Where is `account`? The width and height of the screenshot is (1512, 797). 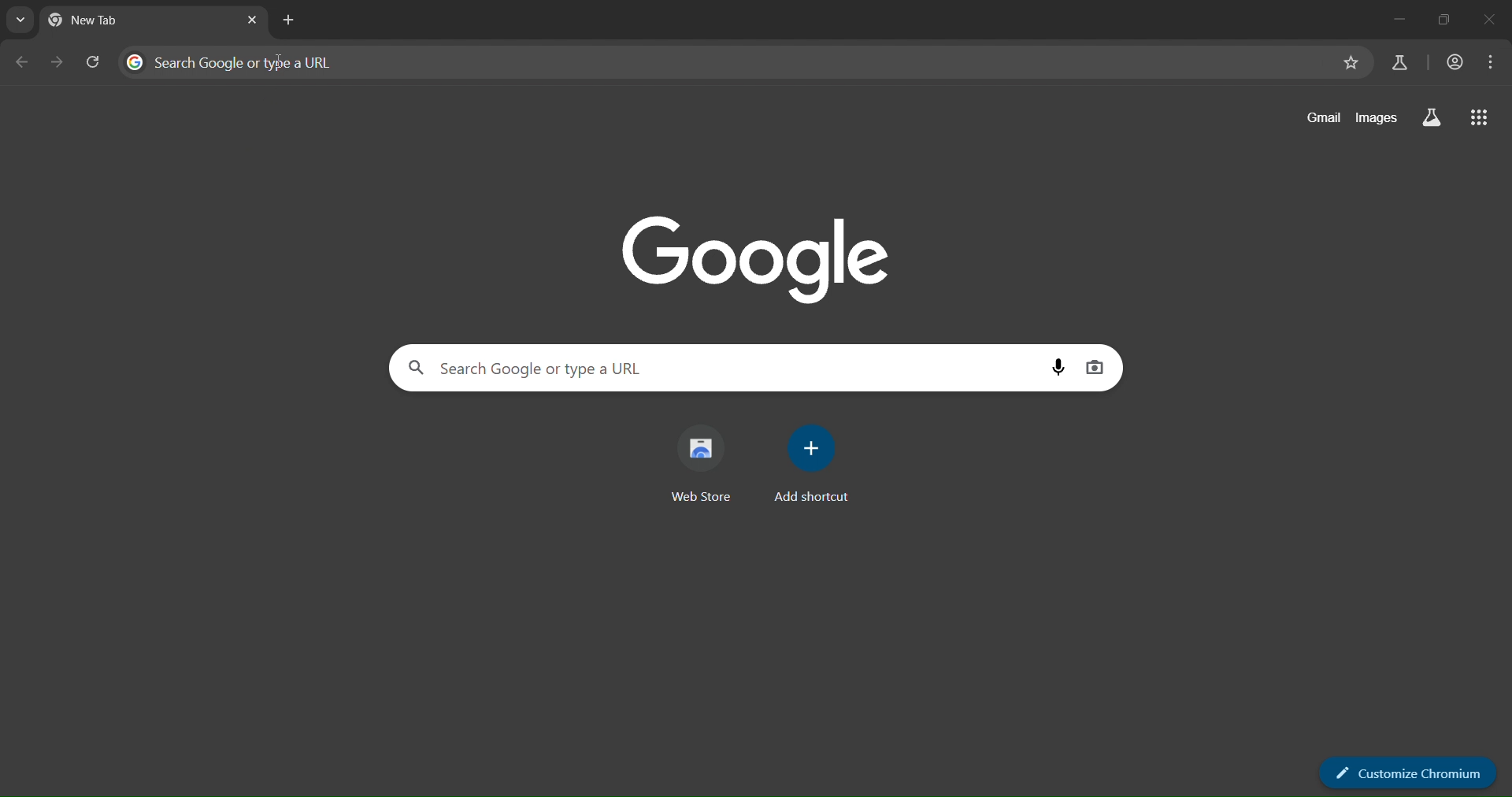
account is located at coordinates (1453, 62).